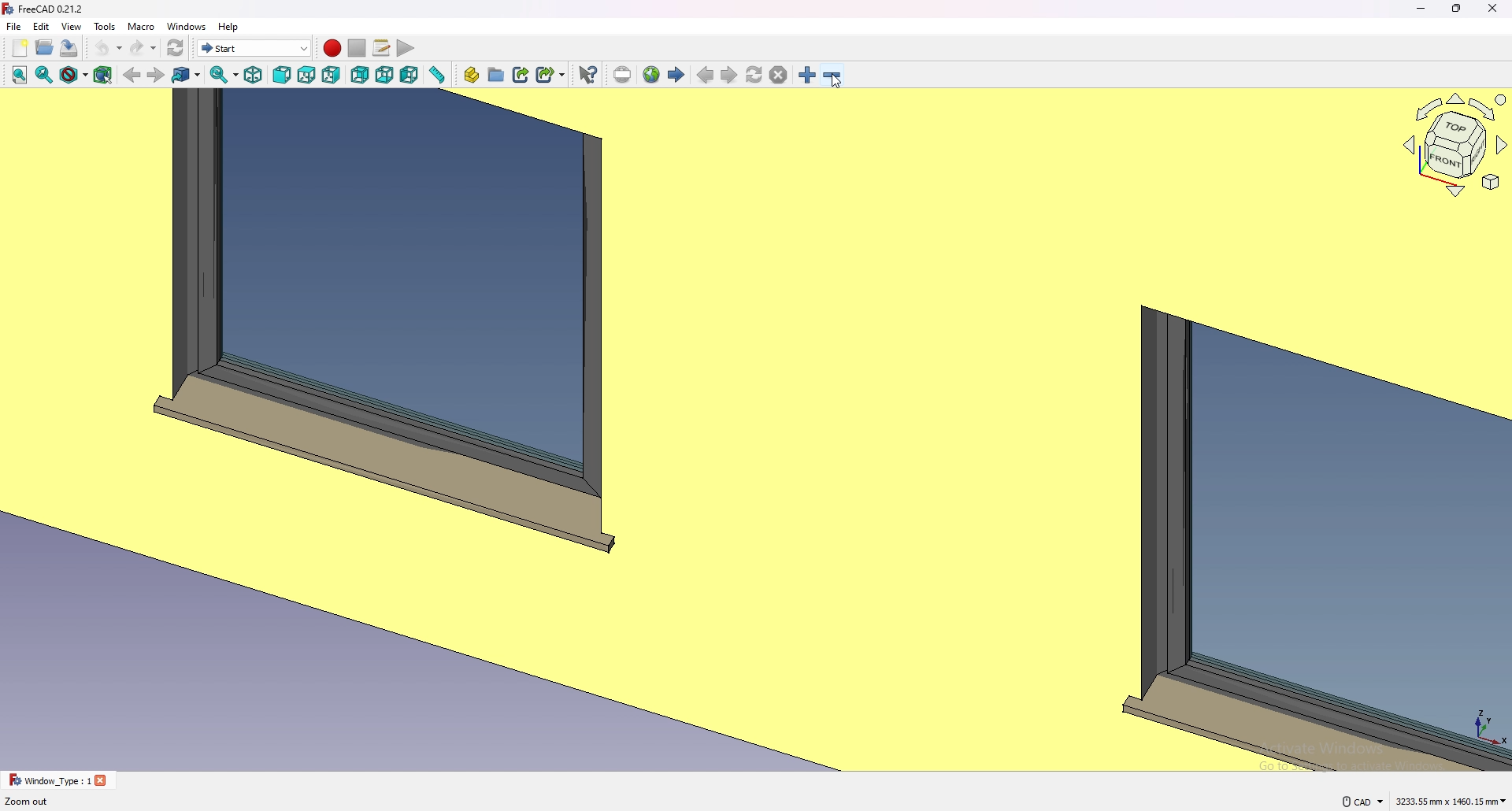 This screenshot has height=811, width=1512. I want to click on cursor, so click(837, 81).